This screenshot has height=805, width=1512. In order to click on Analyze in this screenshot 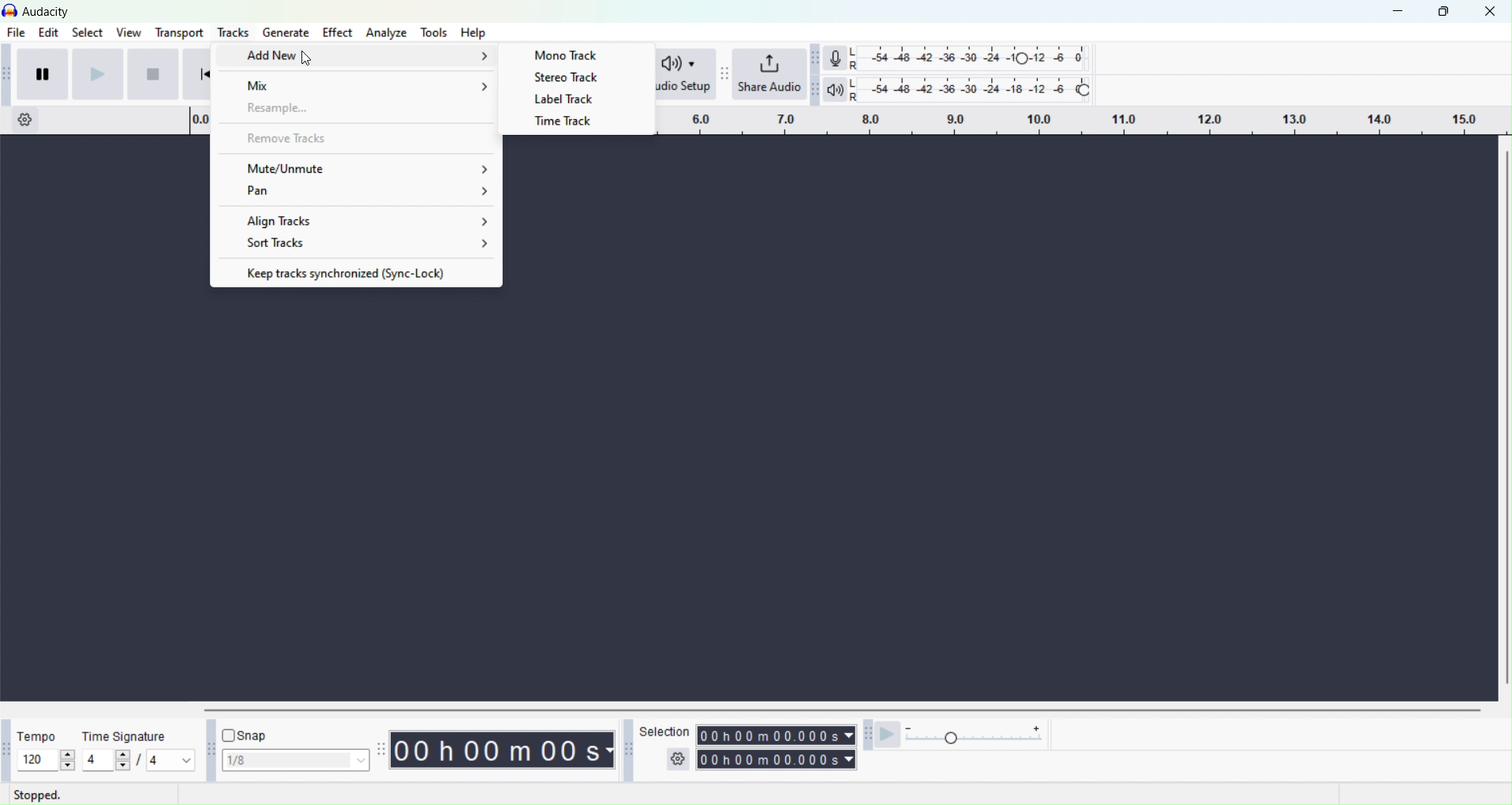, I will do `click(387, 32)`.